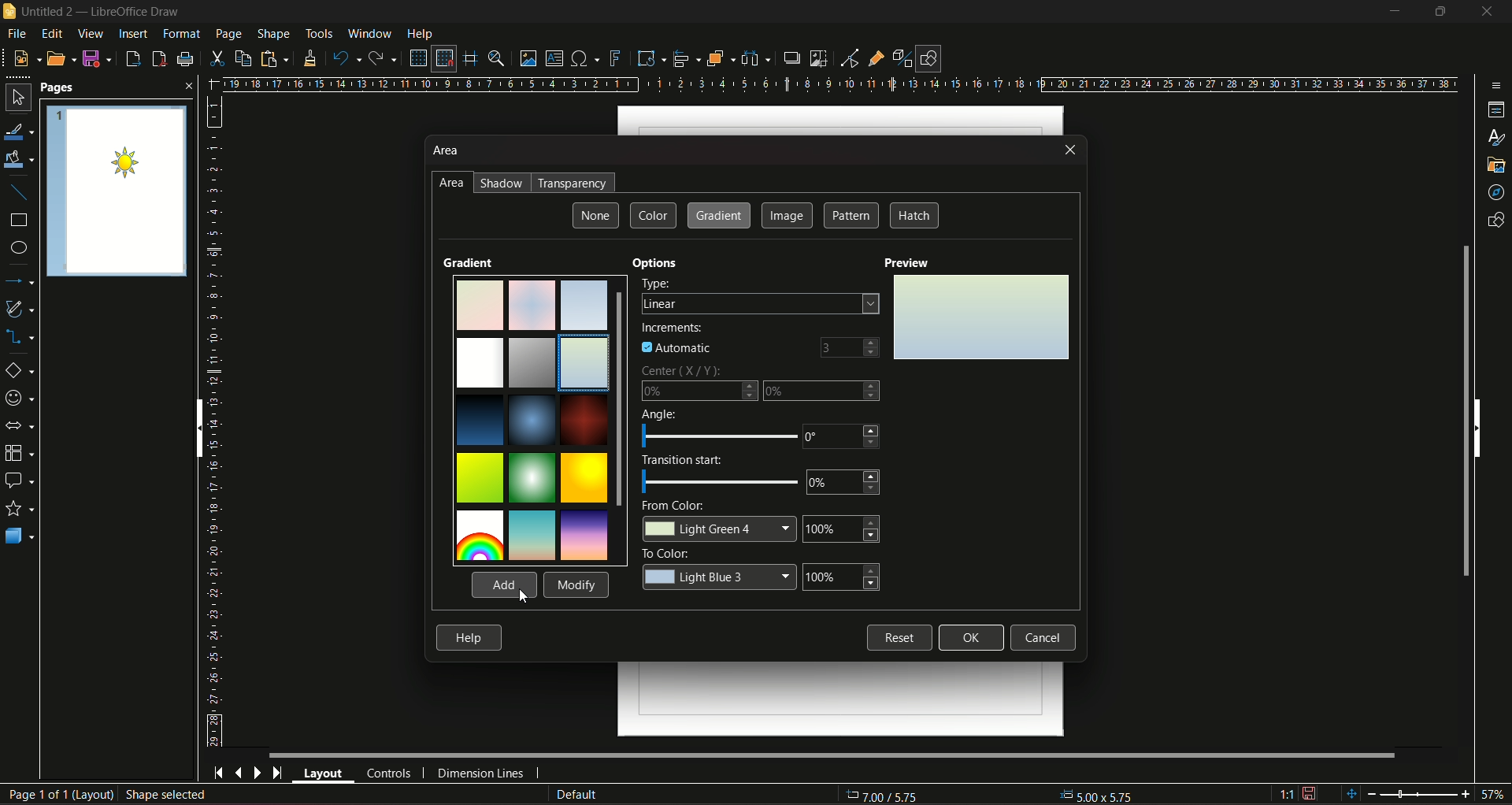 This screenshot has width=1512, height=805. What do you see at coordinates (984, 317) in the screenshot?
I see `Preview` at bounding box center [984, 317].